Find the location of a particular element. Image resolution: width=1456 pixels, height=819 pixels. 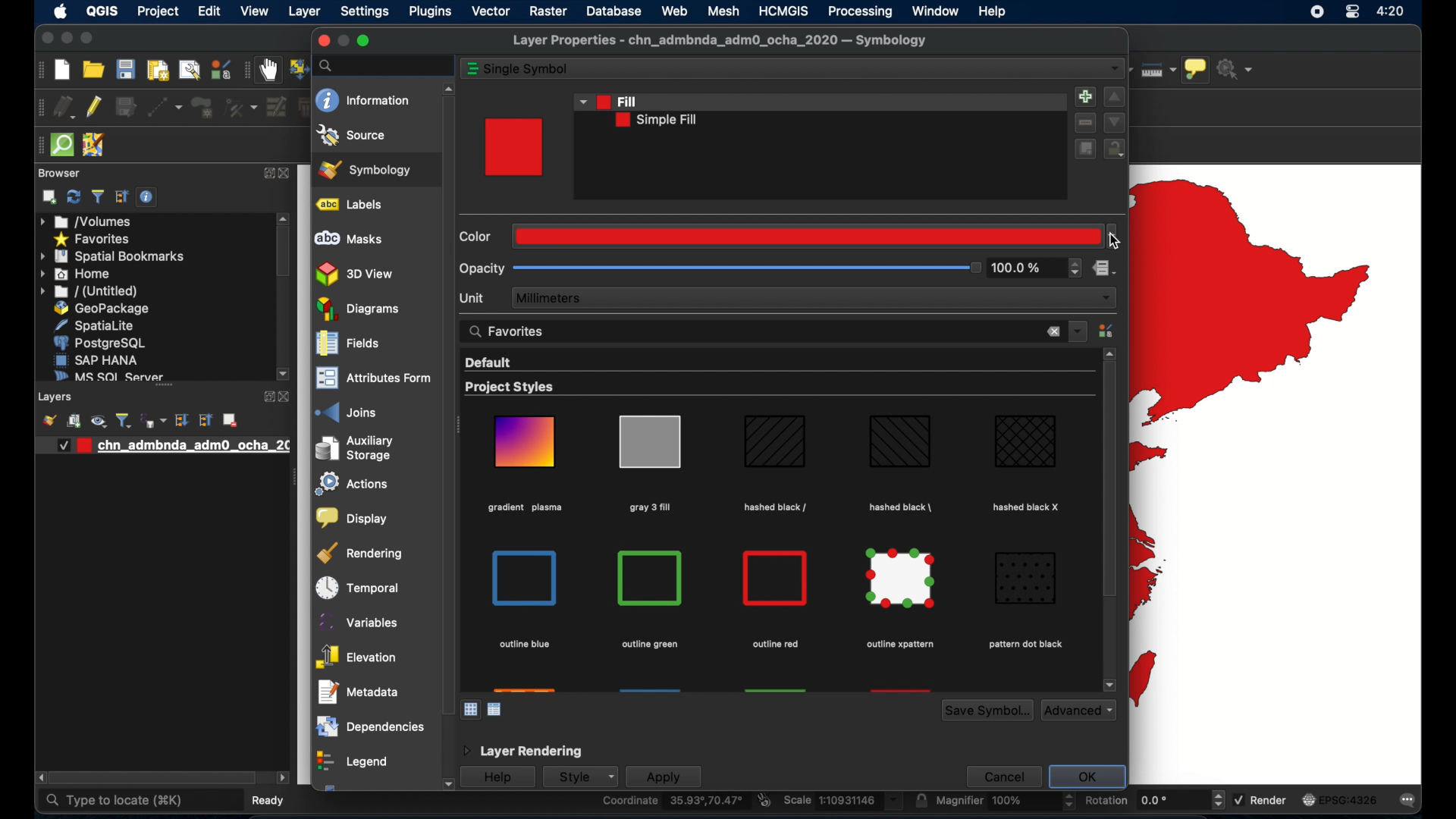

outline green is located at coordinates (651, 643).